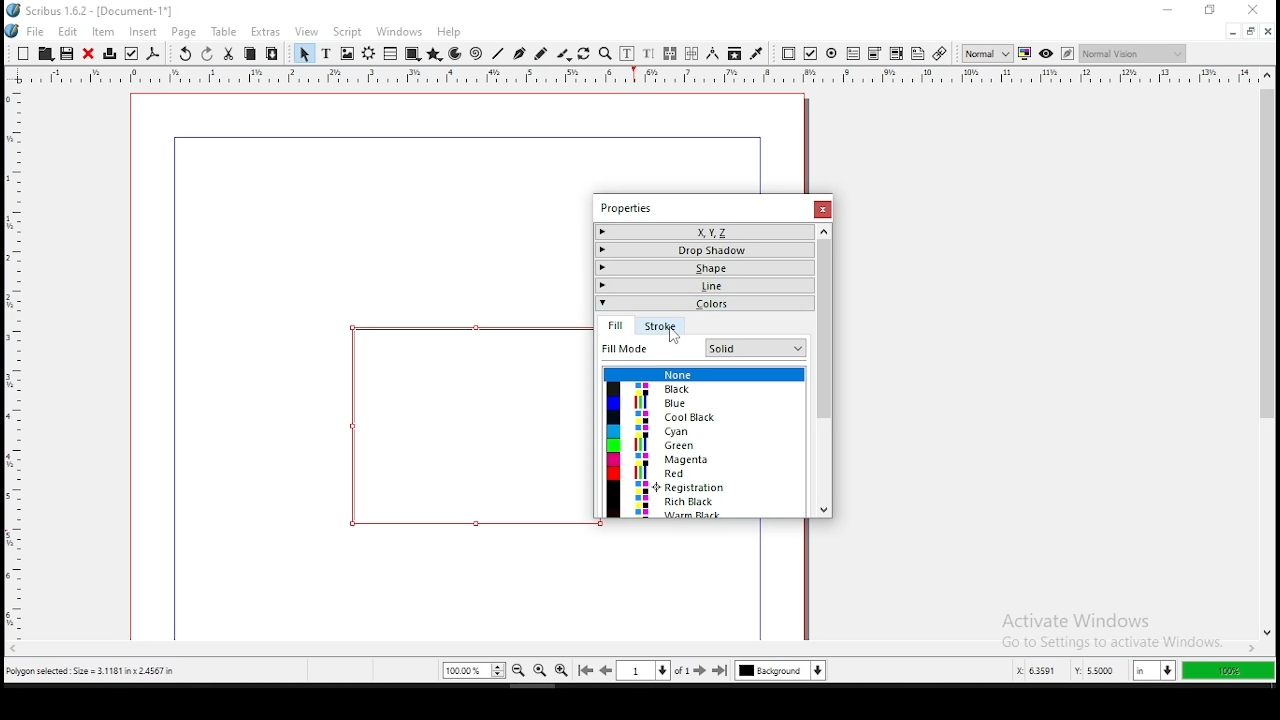 Image resolution: width=1280 pixels, height=720 pixels. What do you see at coordinates (229, 55) in the screenshot?
I see `cut` at bounding box center [229, 55].